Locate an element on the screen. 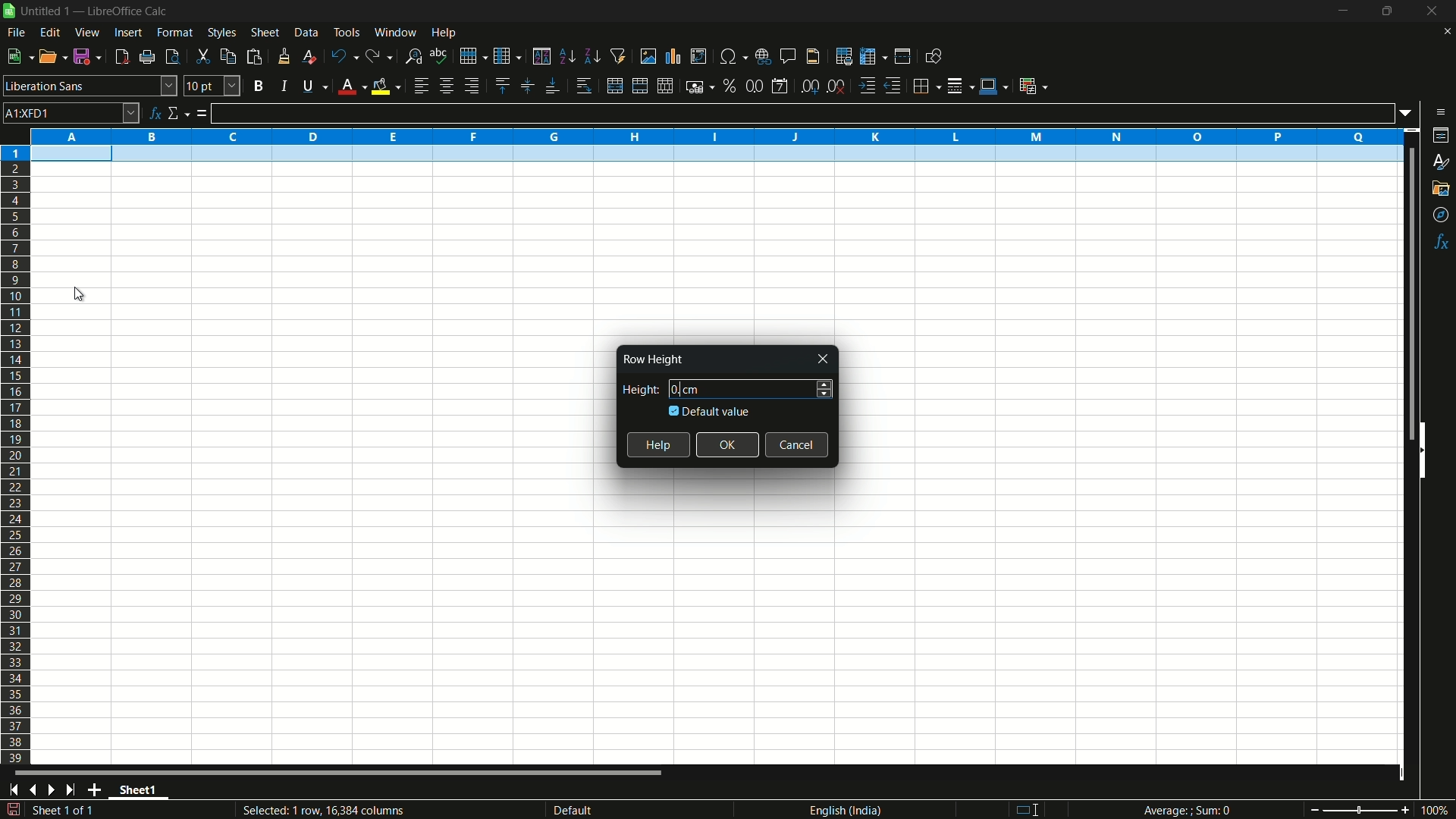 This screenshot has height=819, width=1456. undo is located at coordinates (341, 55).